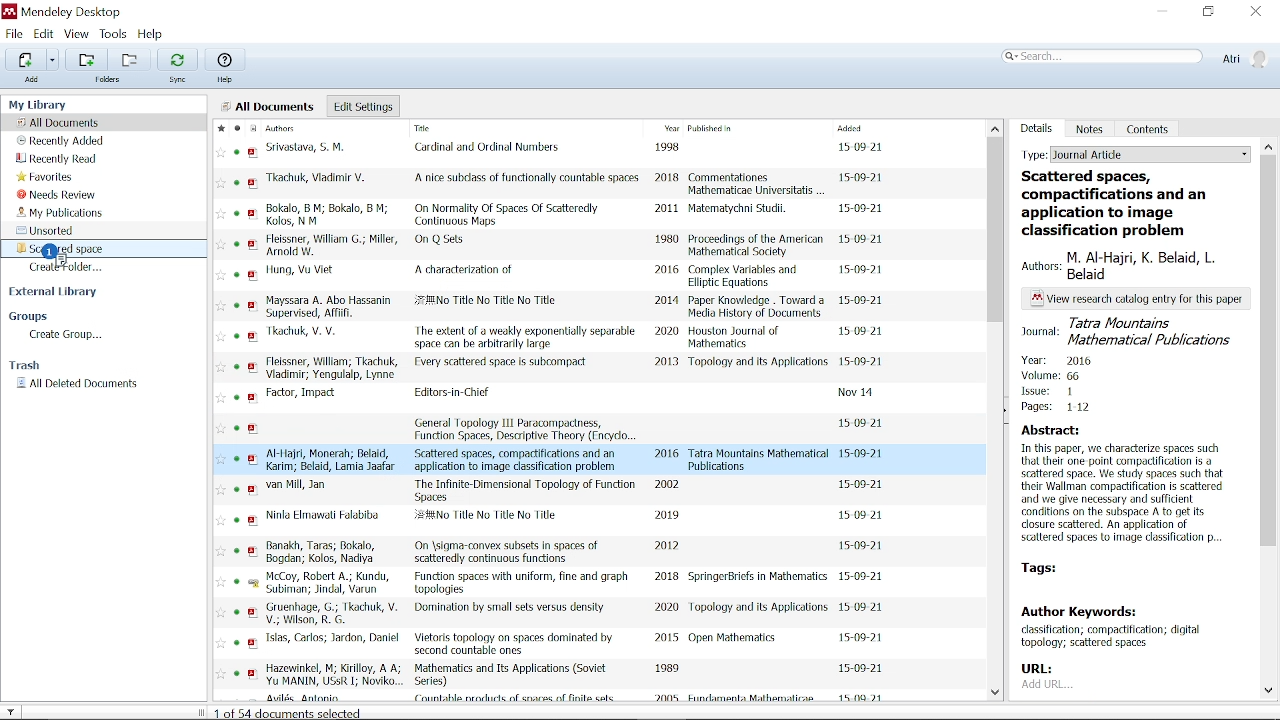 The width and height of the screenshot is (1280, 720). I want to click on Commentationes
Mathematicae Universitatis, so click(757, 182).